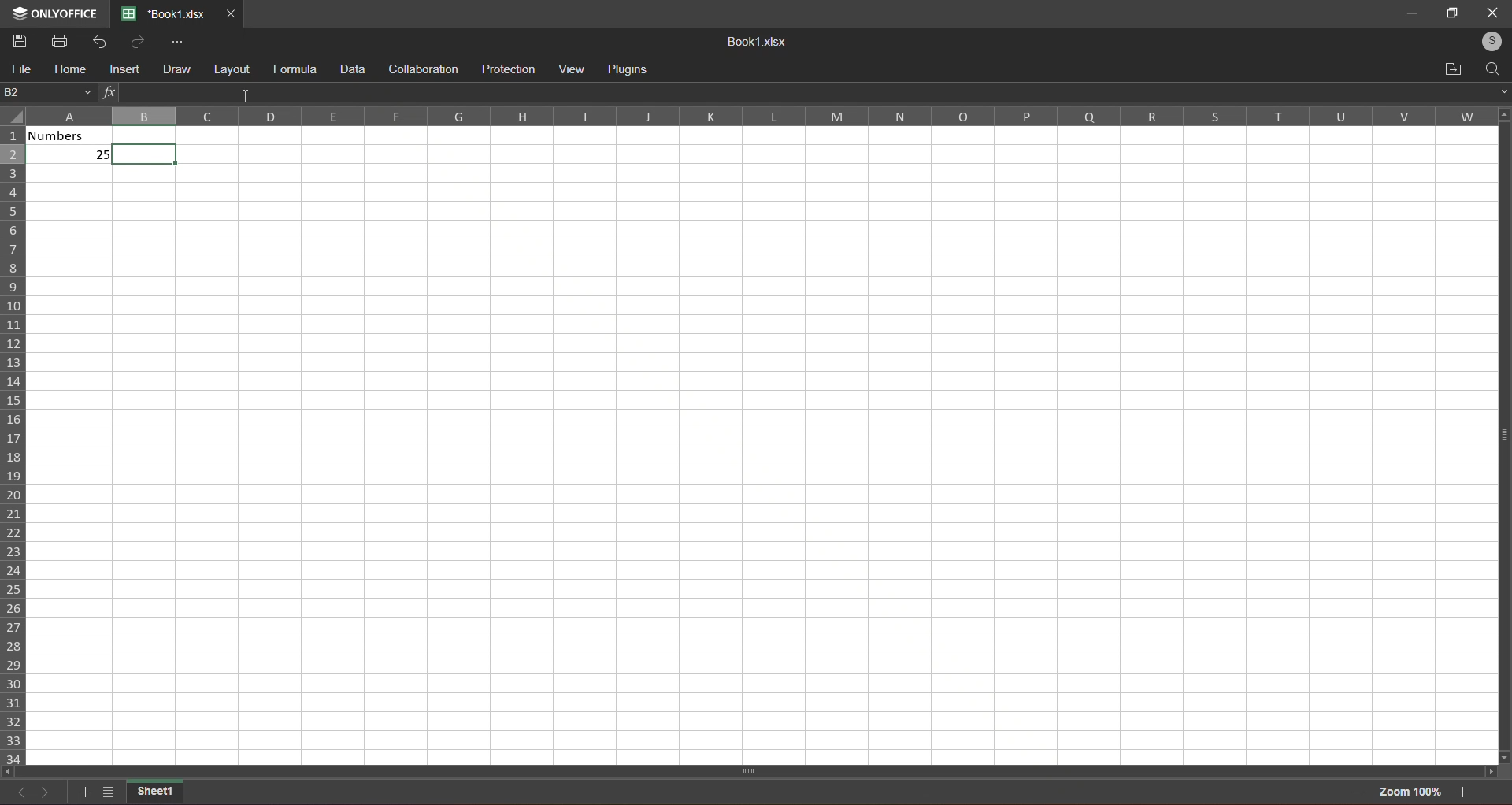 Image resolution: width=1512 pixels, height=805 pixels. I want to click on data, so click(350, 69).